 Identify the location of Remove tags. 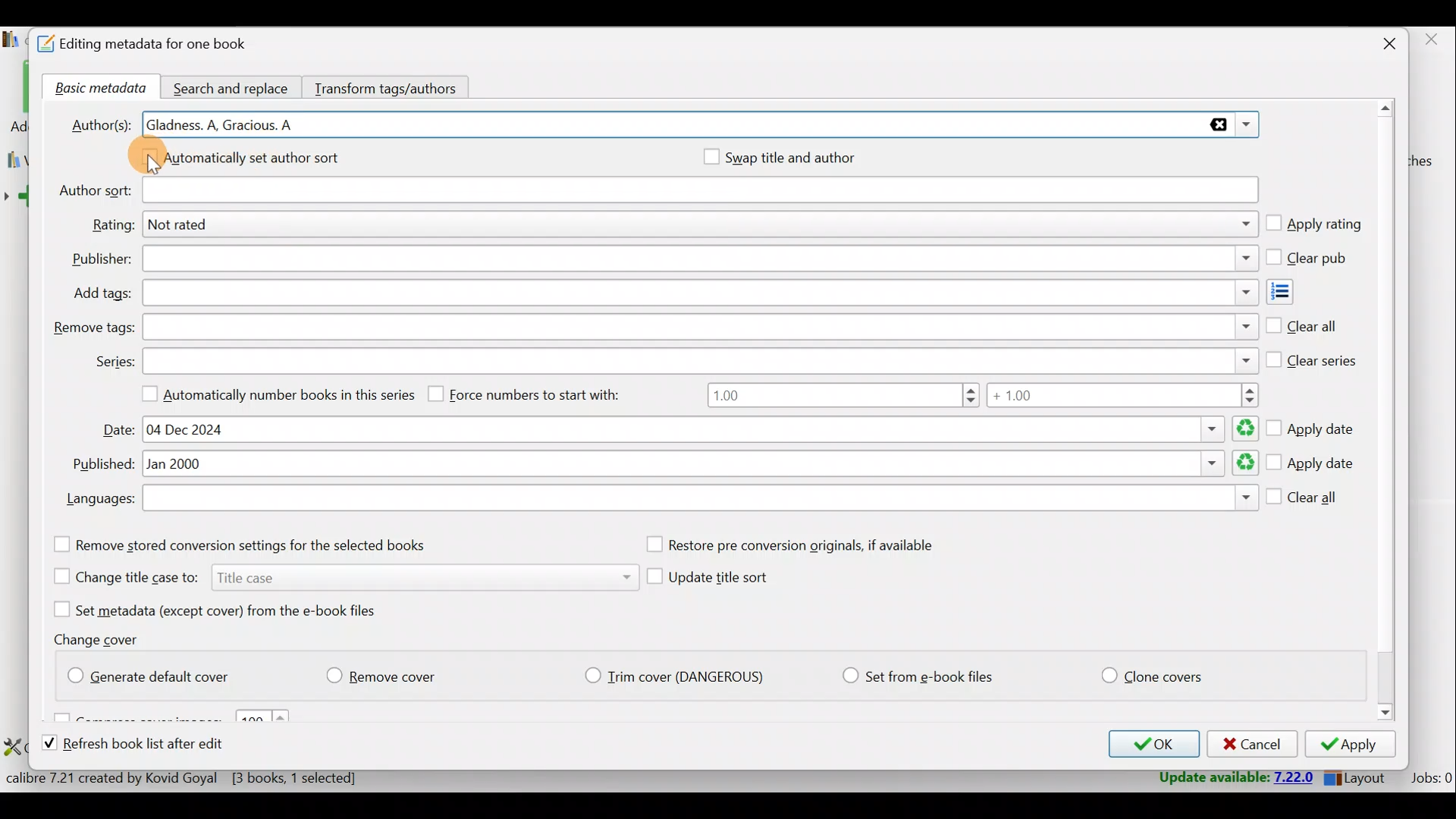
(698, 327).